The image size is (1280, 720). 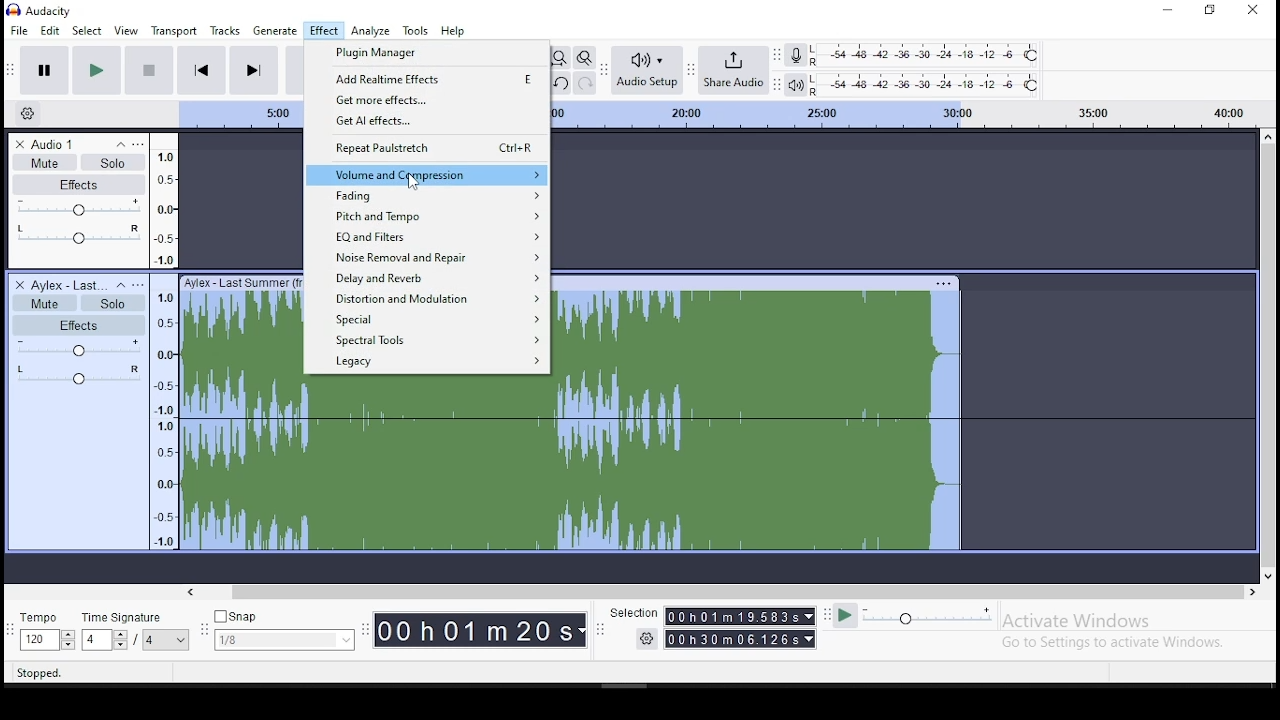 What do you see at coordinates (47, 633) in the screenshot?
I see `tempo` at bounding box center [47, 633].